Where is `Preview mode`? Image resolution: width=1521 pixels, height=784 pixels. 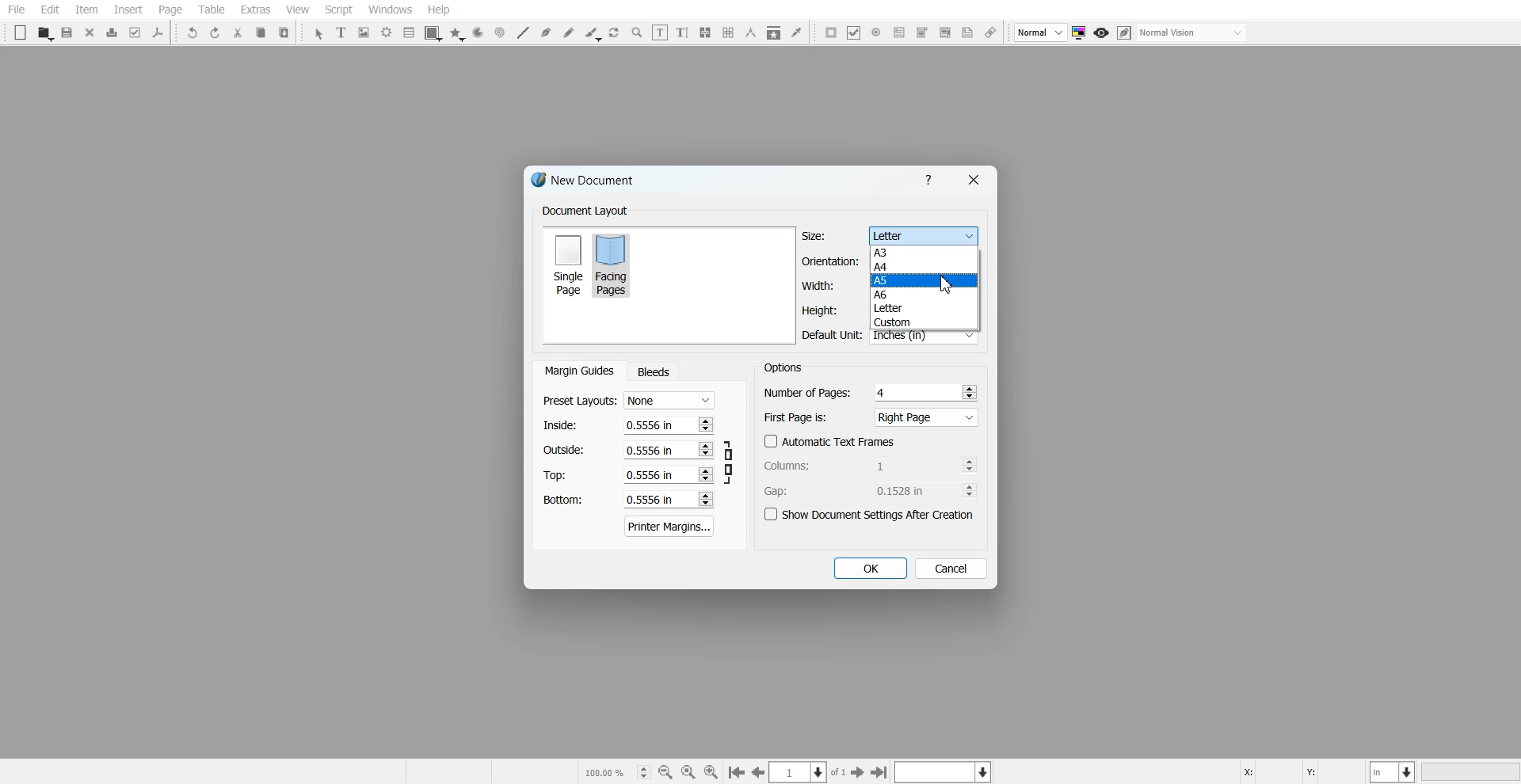
Preview mode is located at coordinates (1102, 33).